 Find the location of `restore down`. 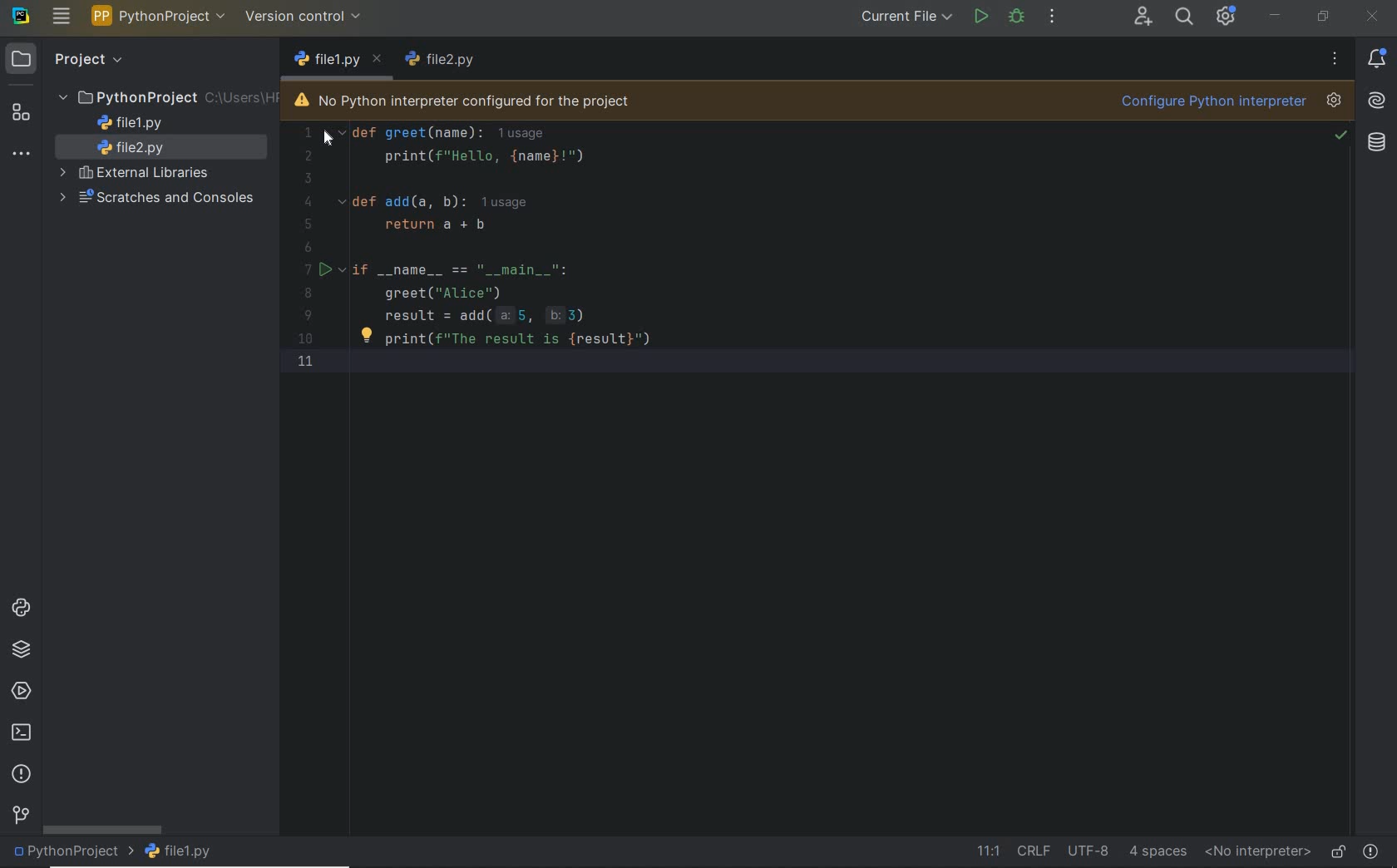

restore down is located at coordinates (1321, 16).